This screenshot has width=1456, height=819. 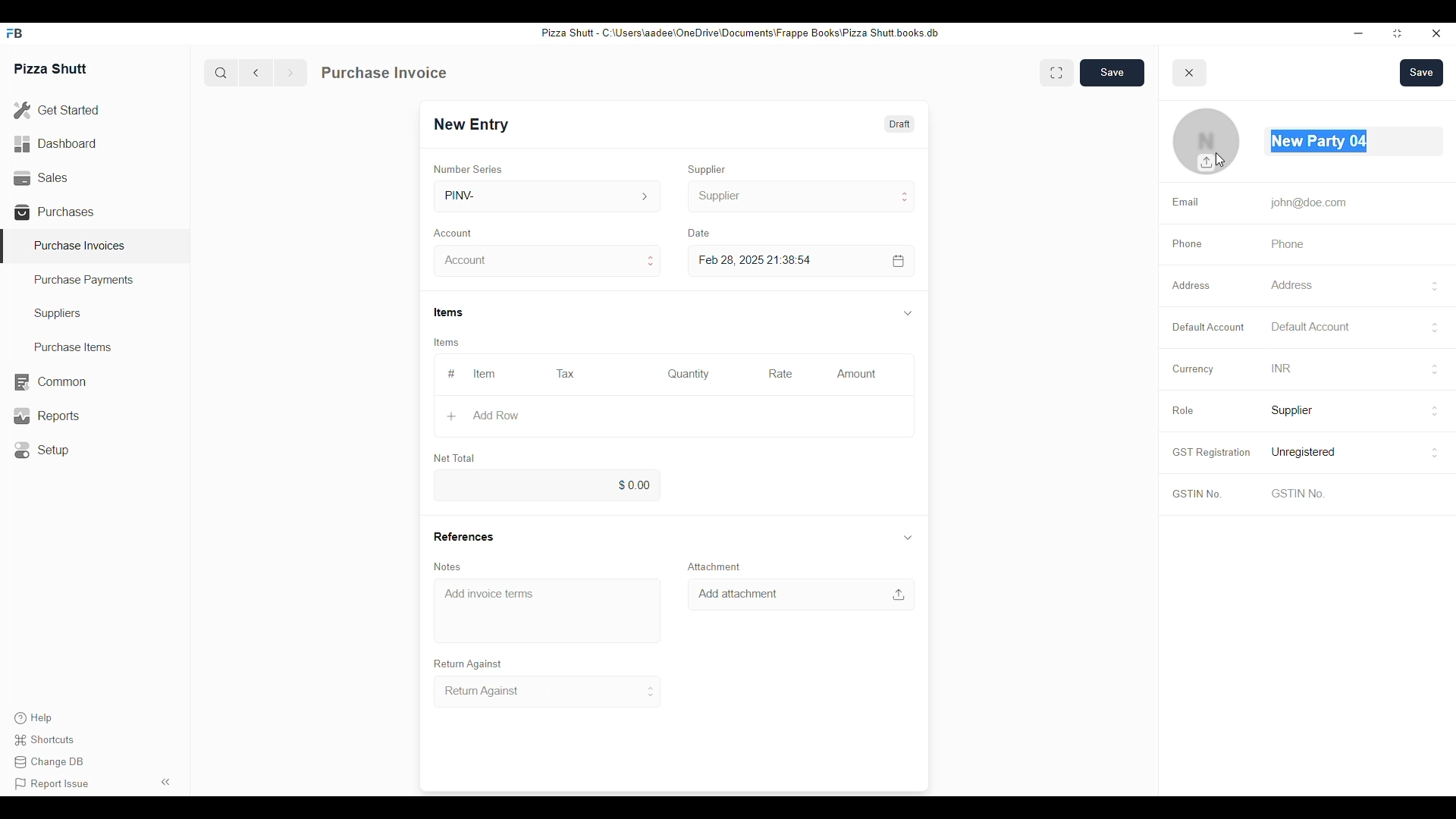 I want to click on Address, so click(x=1194, y=284).